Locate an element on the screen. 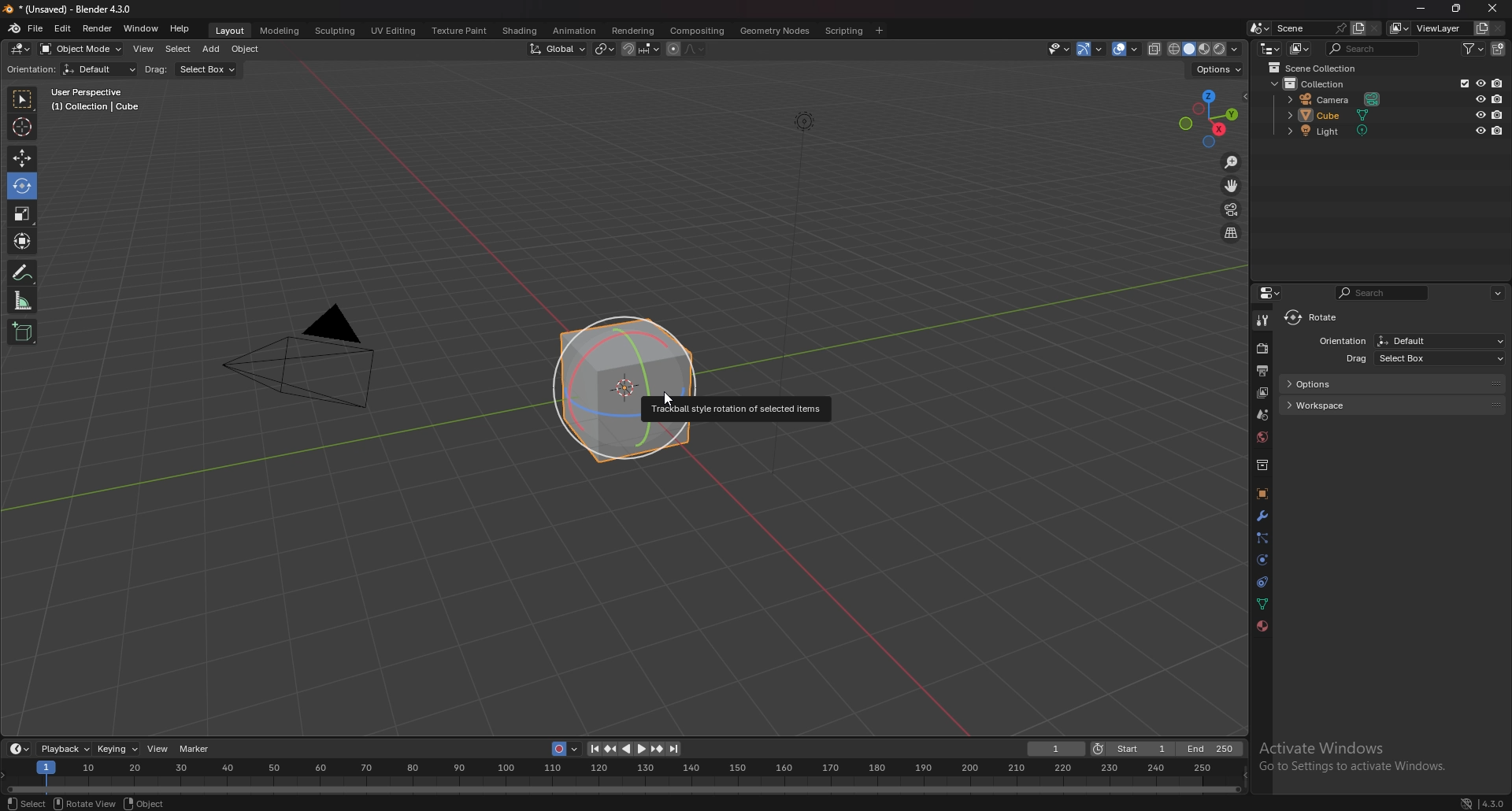 The height and width of the screenshot is (811, 1512). Trackball style rotation of selected items is located at coordinates (736, 409).